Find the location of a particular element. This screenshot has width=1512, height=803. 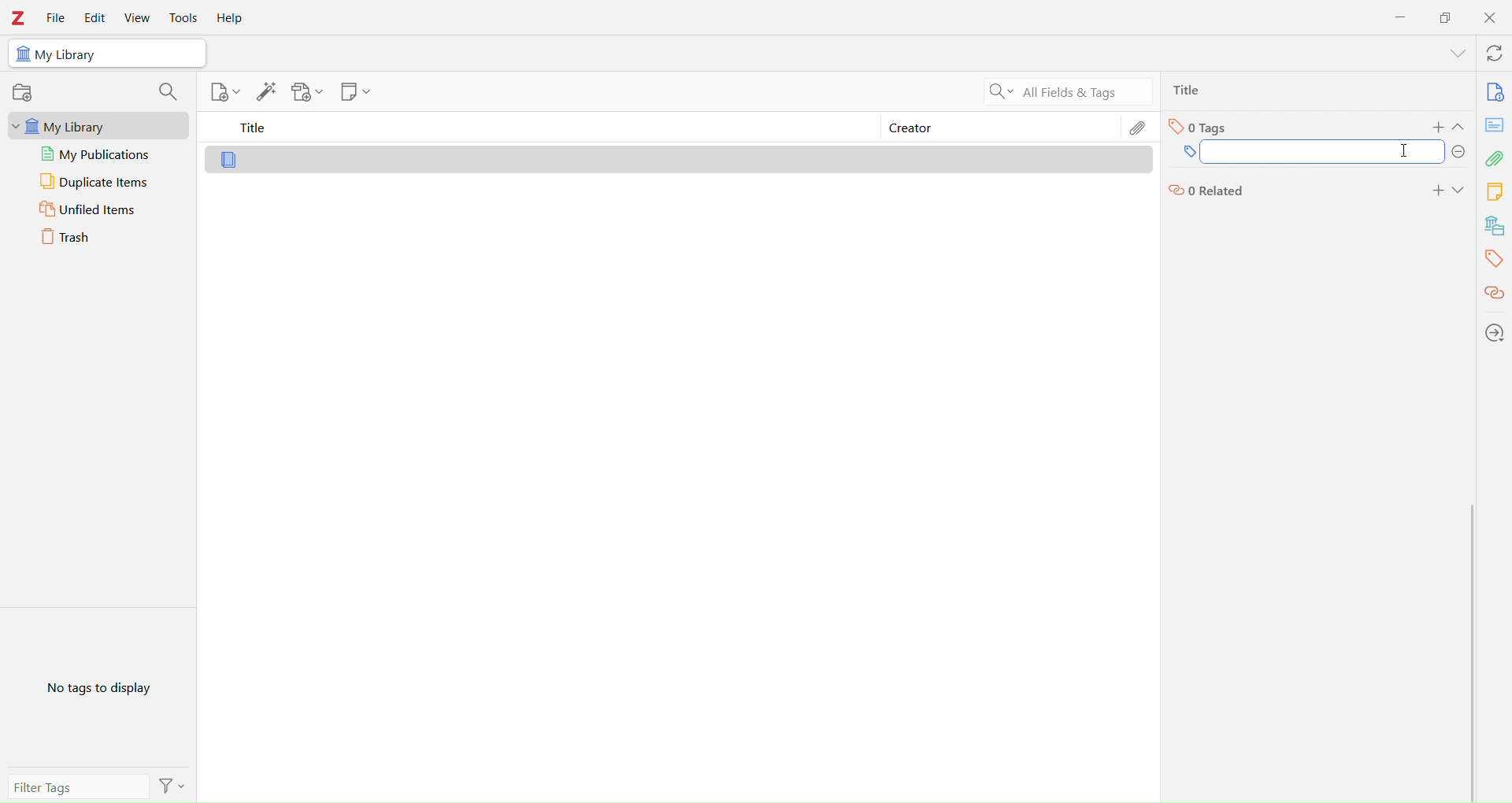

show menu is located at coordinates (1443, 58).